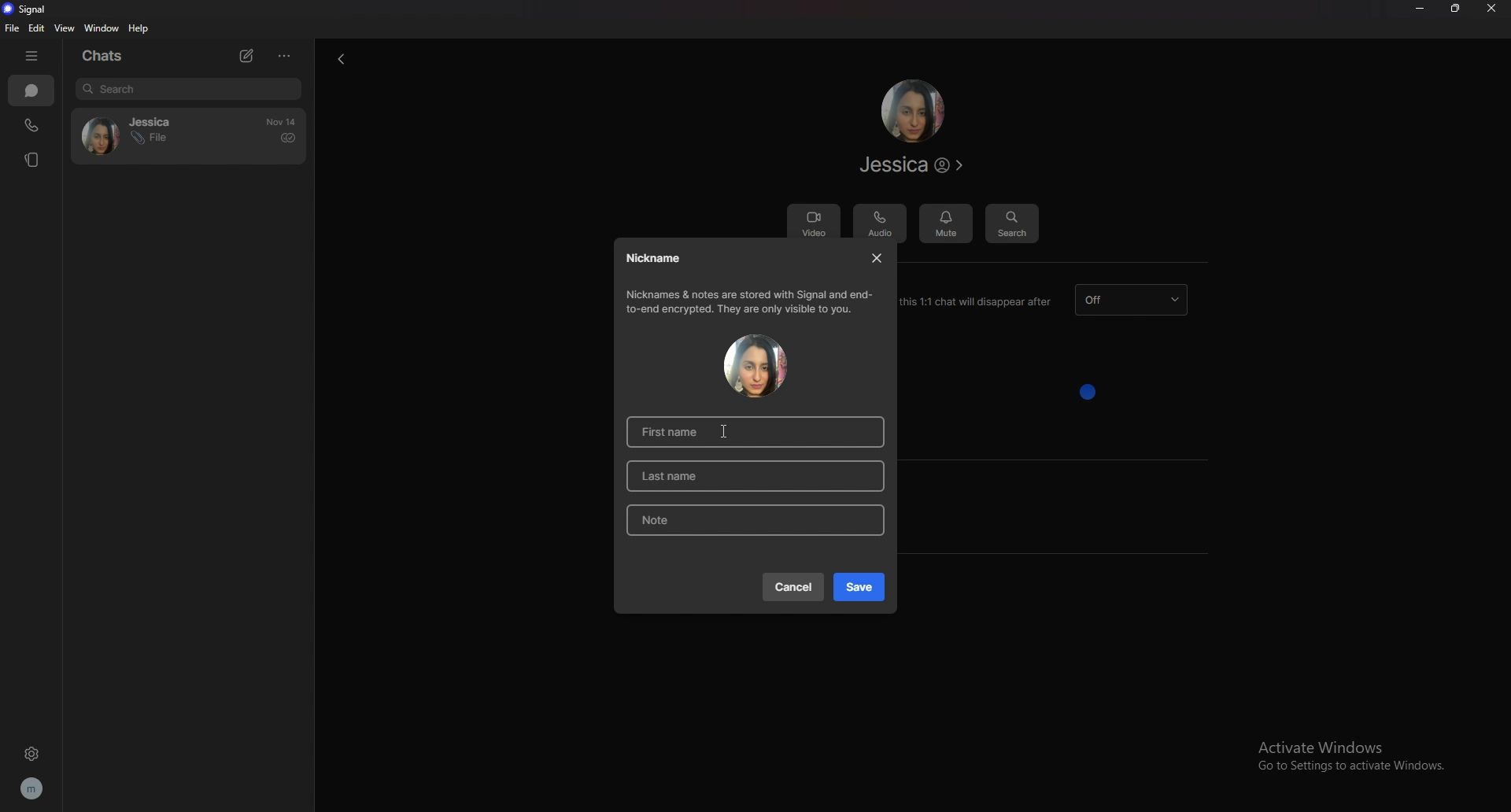 Image resolution: width=1511 pixels, height=812 pixels. Describe the element at coordinates (761, 432) in the screenshot. I see `first name` at that location.